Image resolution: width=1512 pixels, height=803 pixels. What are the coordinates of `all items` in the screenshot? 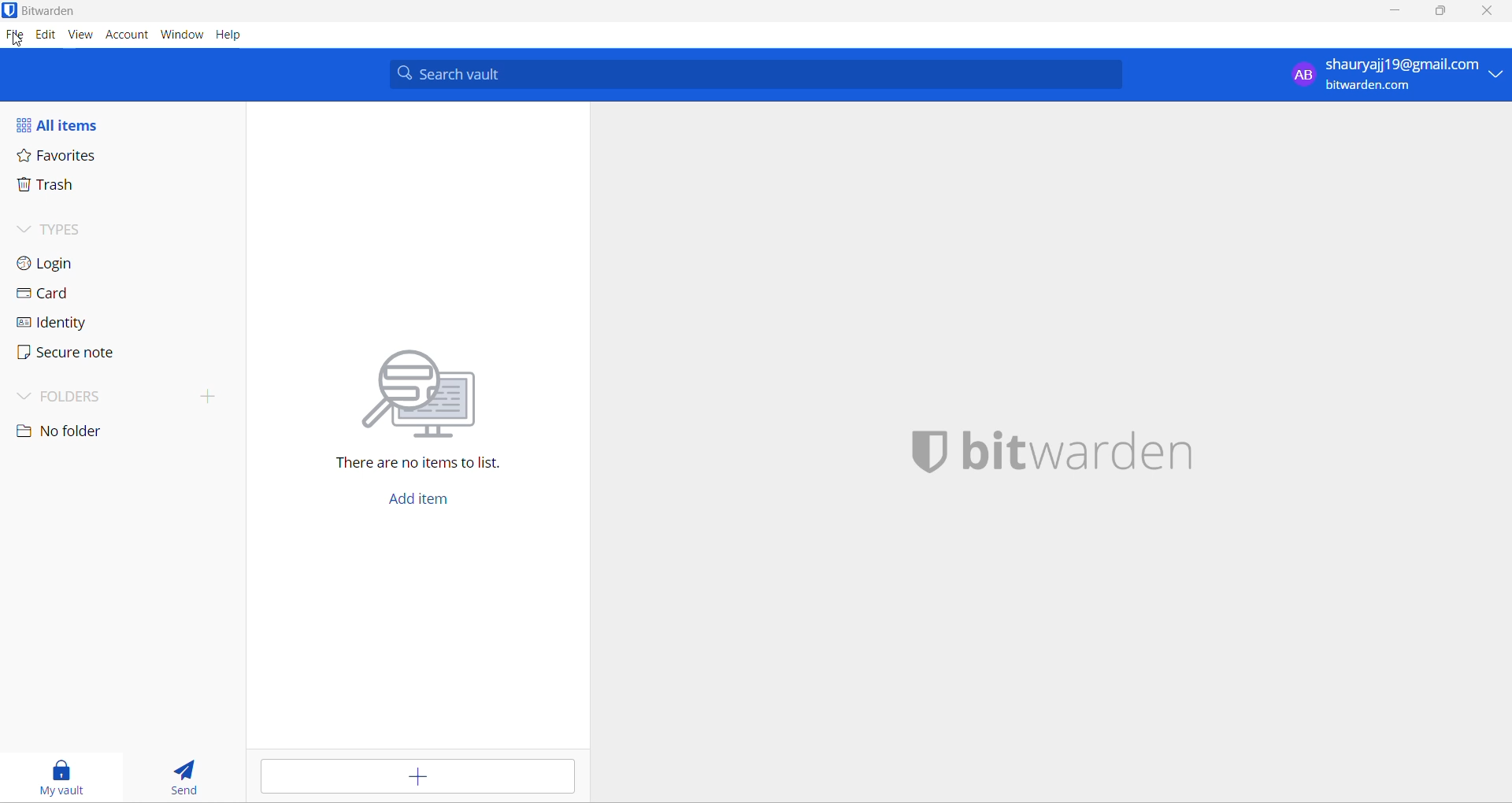 It's located at (72, 123).